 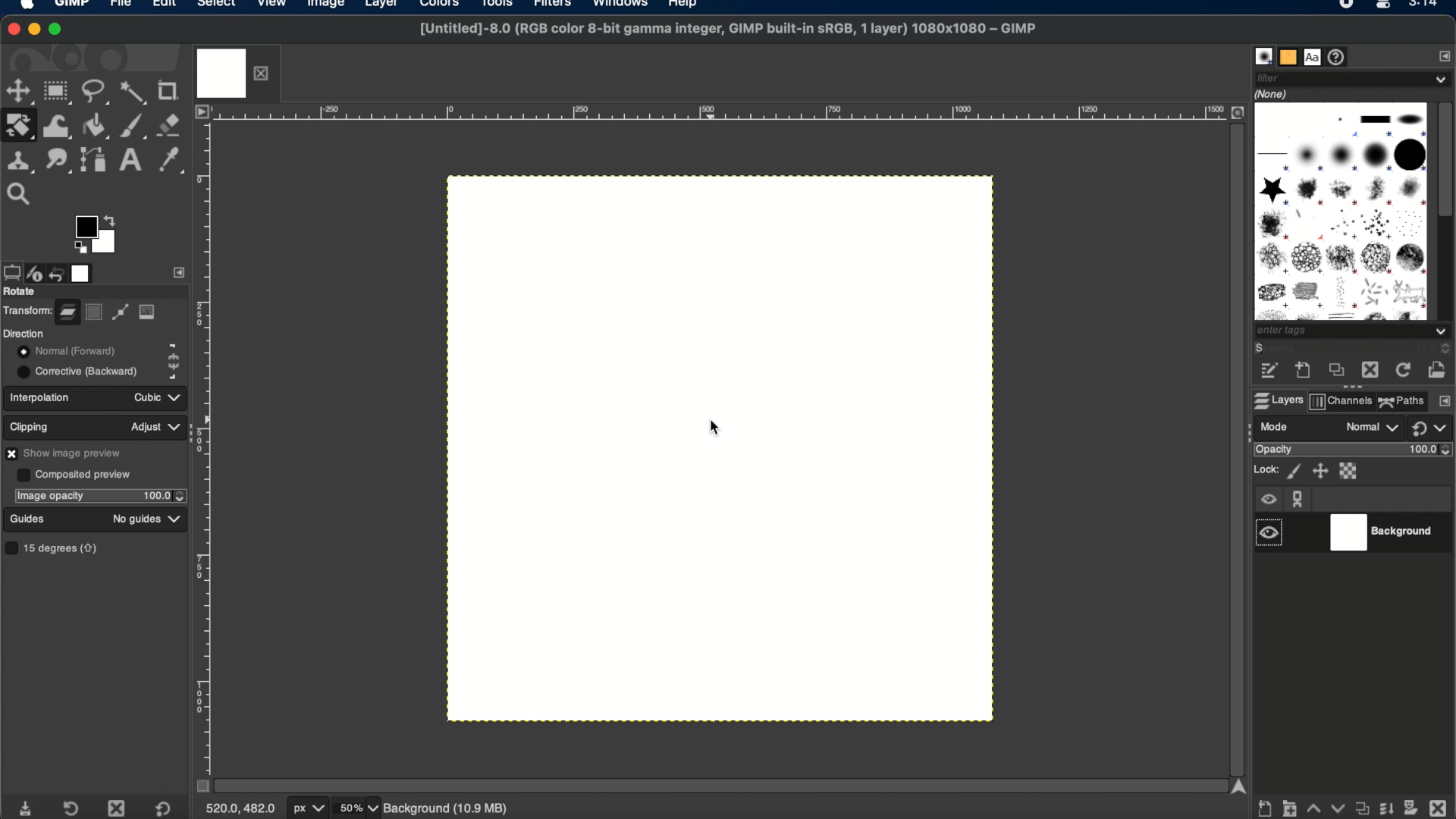 What do you see at coordinates (55, 548) in the screenshot?
I see `15 degrees` at bounding box center [55, 548].